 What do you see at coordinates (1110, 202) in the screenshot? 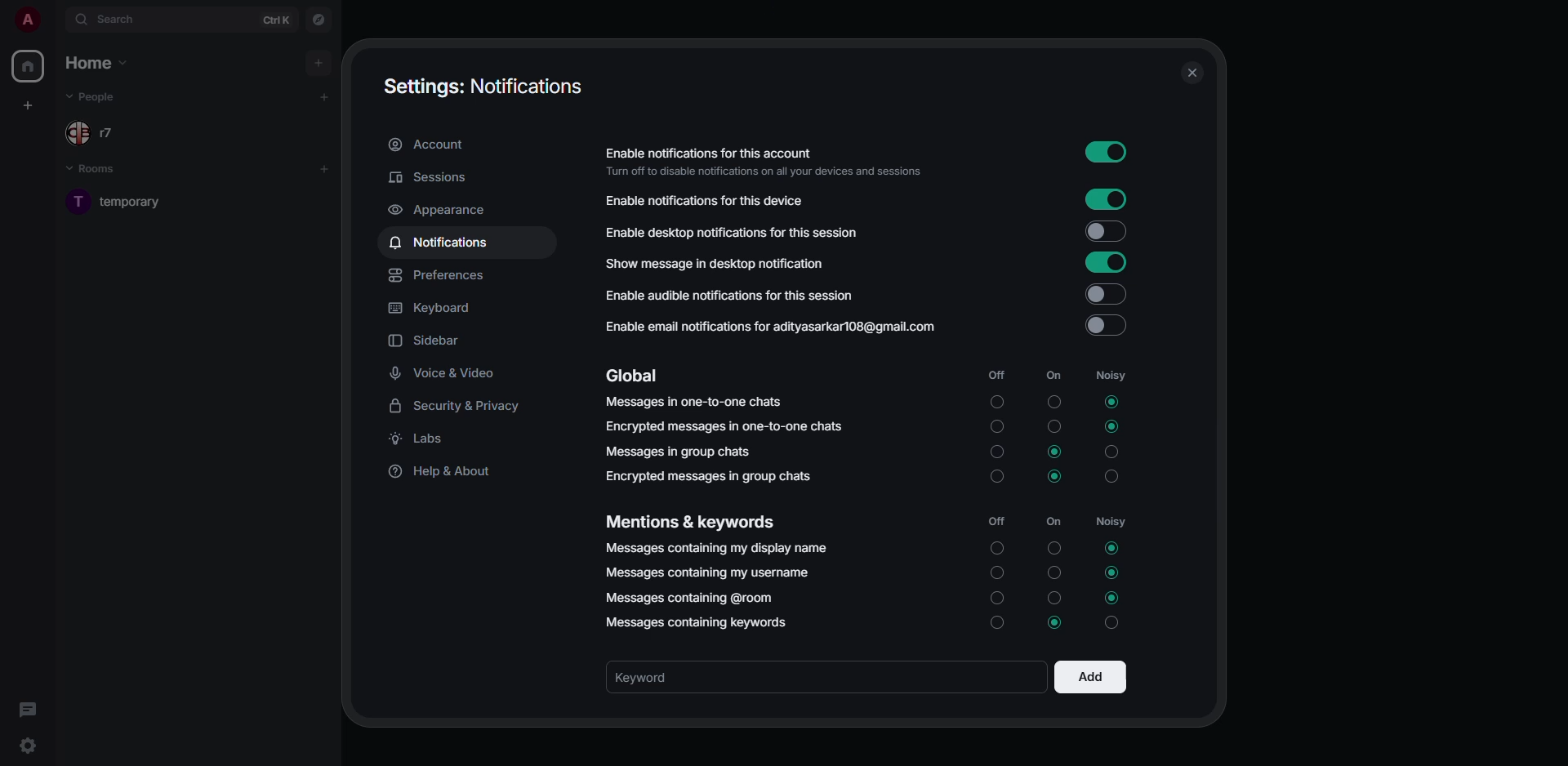
I see `click to enable/disable` at bounding box center [1110, 202].